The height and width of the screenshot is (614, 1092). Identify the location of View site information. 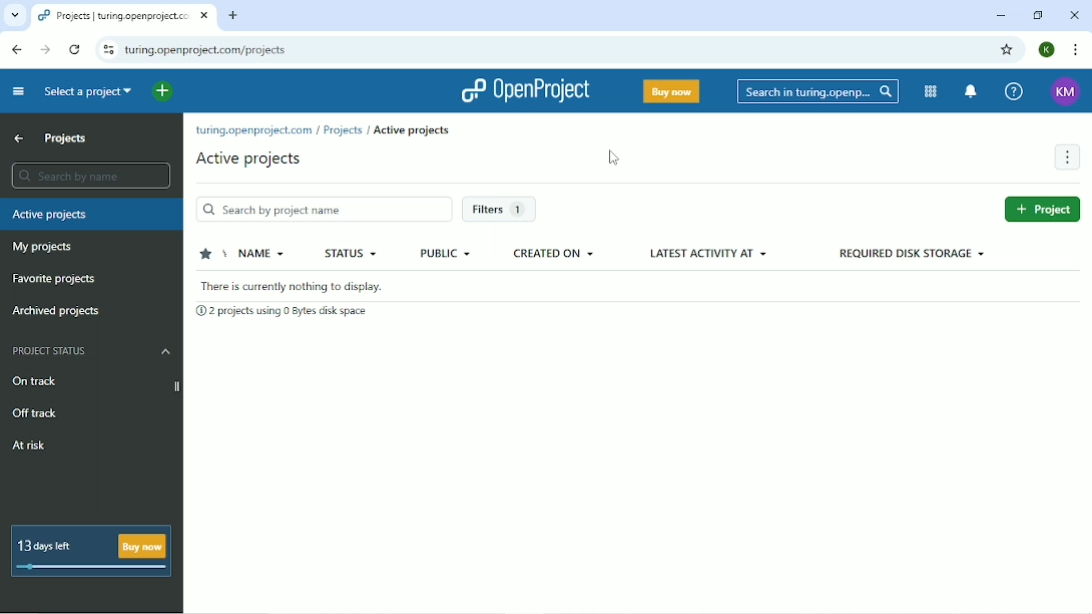
(108, 52).